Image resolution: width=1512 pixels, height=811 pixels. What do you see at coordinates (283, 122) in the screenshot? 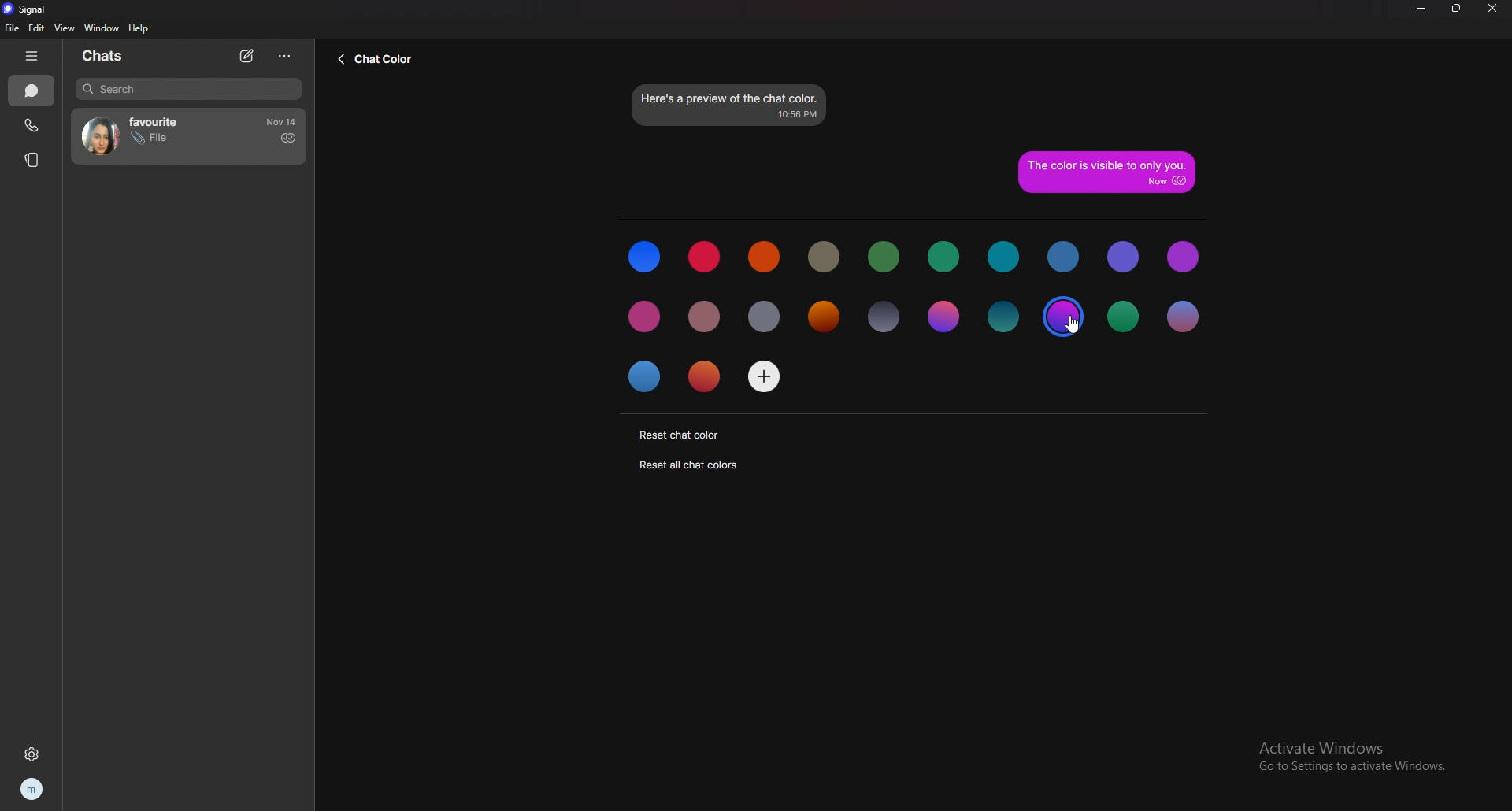
I see `time` at bounding box center [283, 122].